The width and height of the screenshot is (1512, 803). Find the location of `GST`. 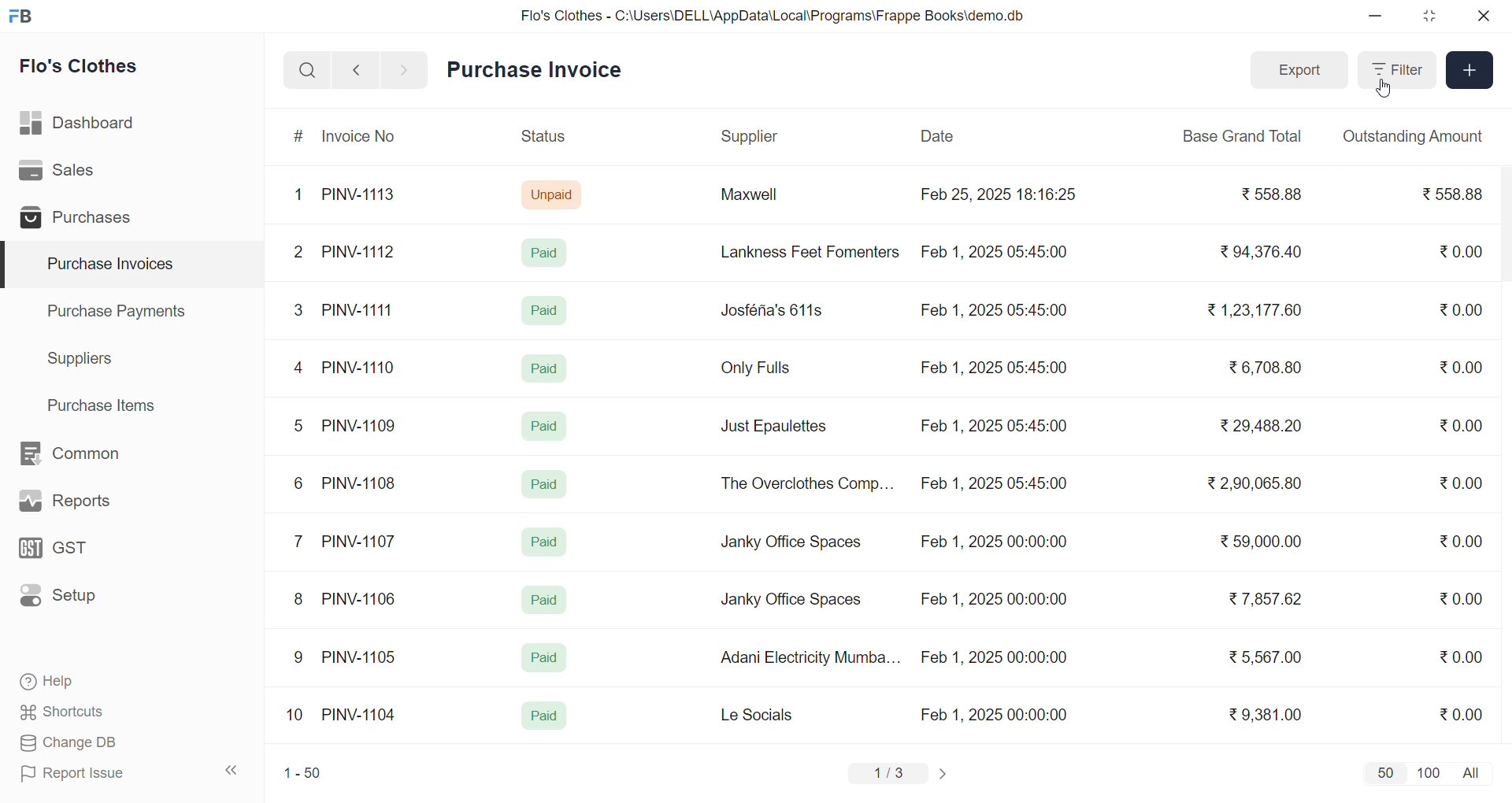

GST is located at coordinates (82, 553).